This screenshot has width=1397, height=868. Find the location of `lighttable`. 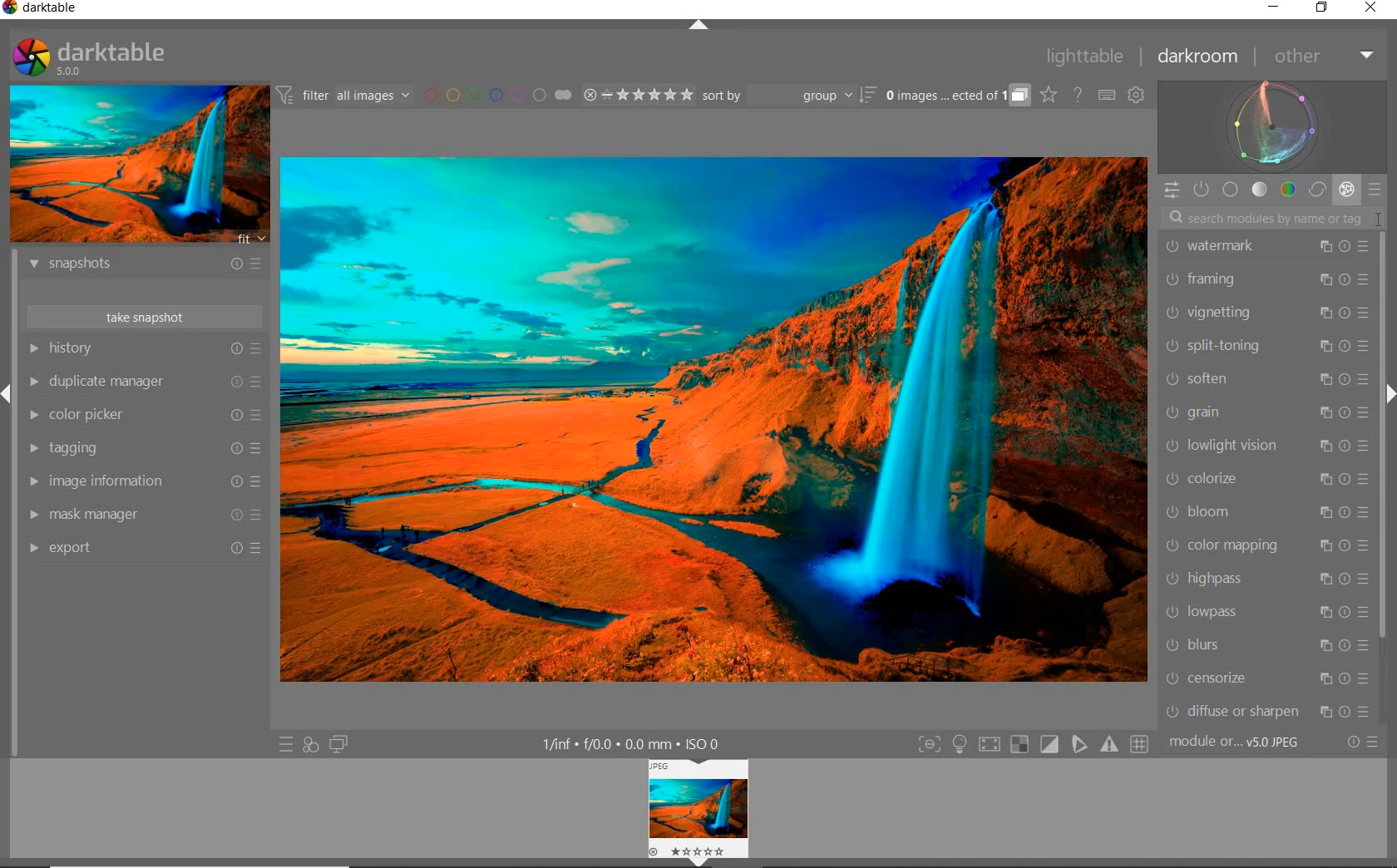

lighttable is located at coordinates (1089, 57).